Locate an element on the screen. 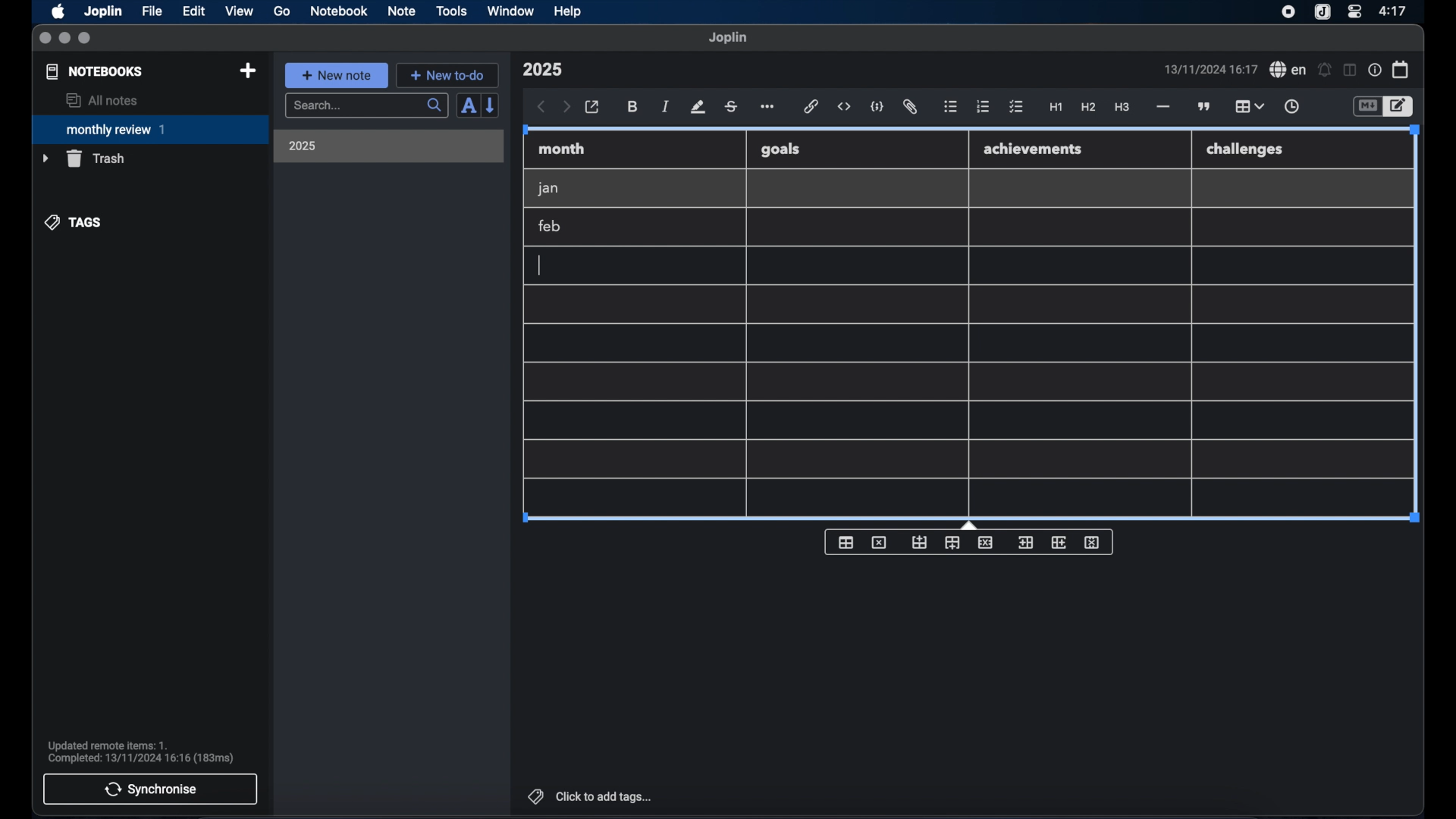 The height and width of the screenshot is (819, 1456). open in external editor is located at coordinates (593, 108).